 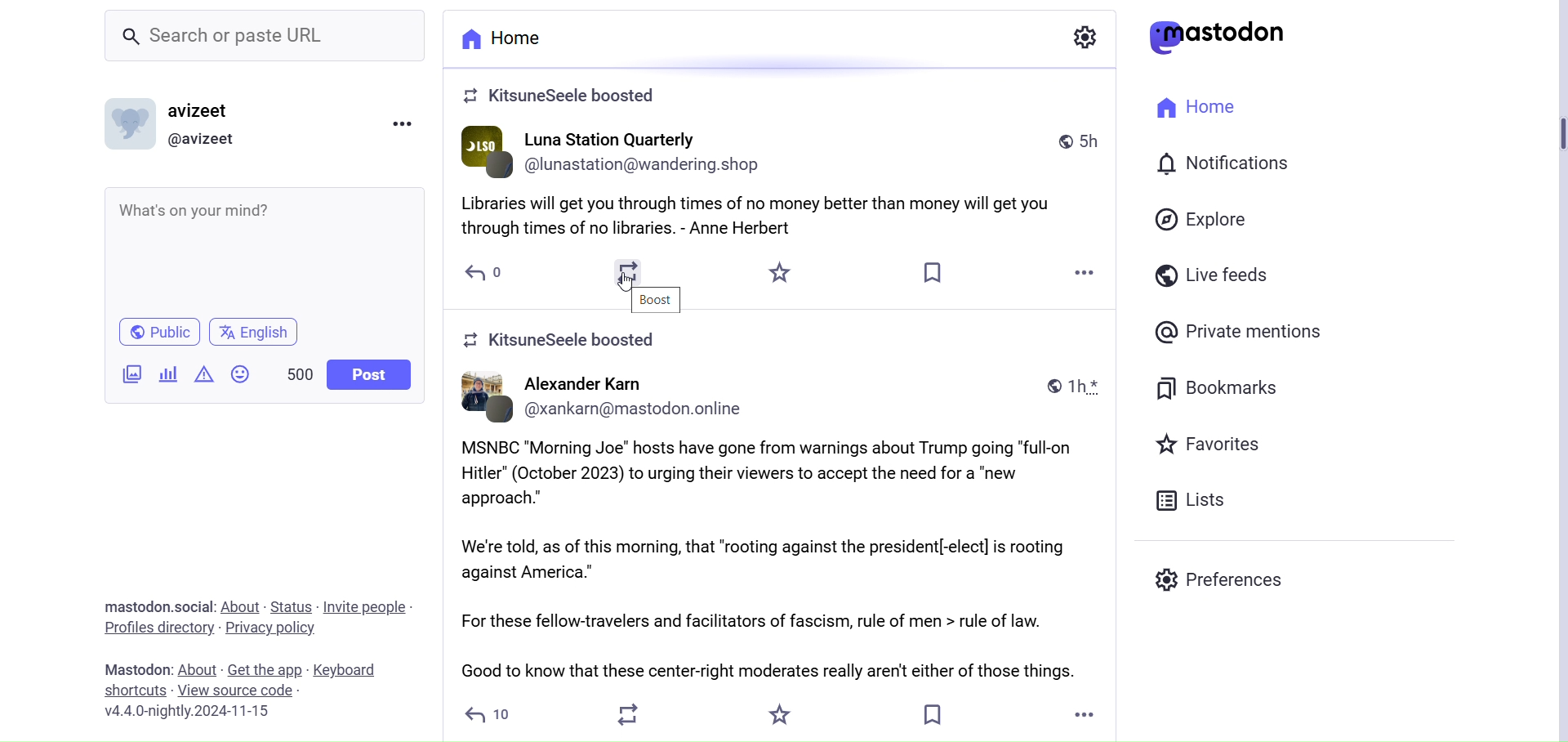 I want to click on Add Poll, so click(x=171, y=375).